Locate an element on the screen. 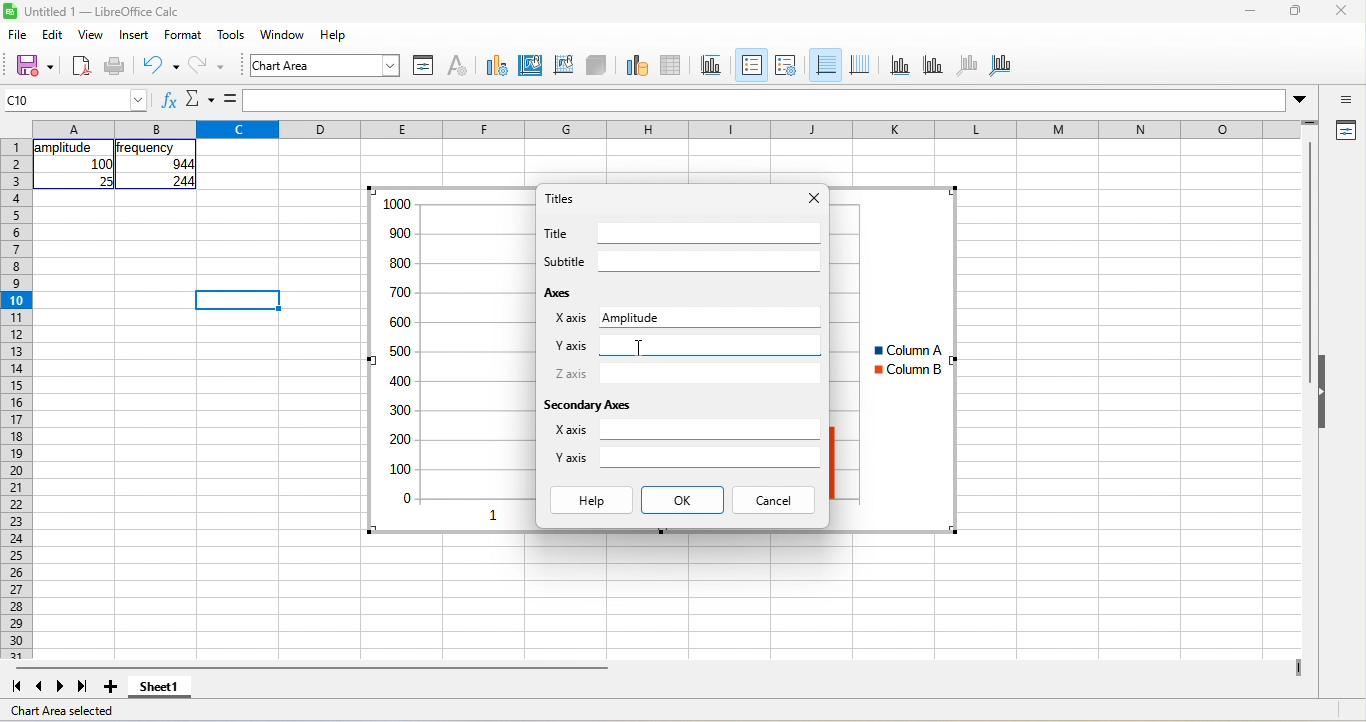 The height and width of the screenshot is (722, 1366). previous sheet is located at coordinates (40, 687).